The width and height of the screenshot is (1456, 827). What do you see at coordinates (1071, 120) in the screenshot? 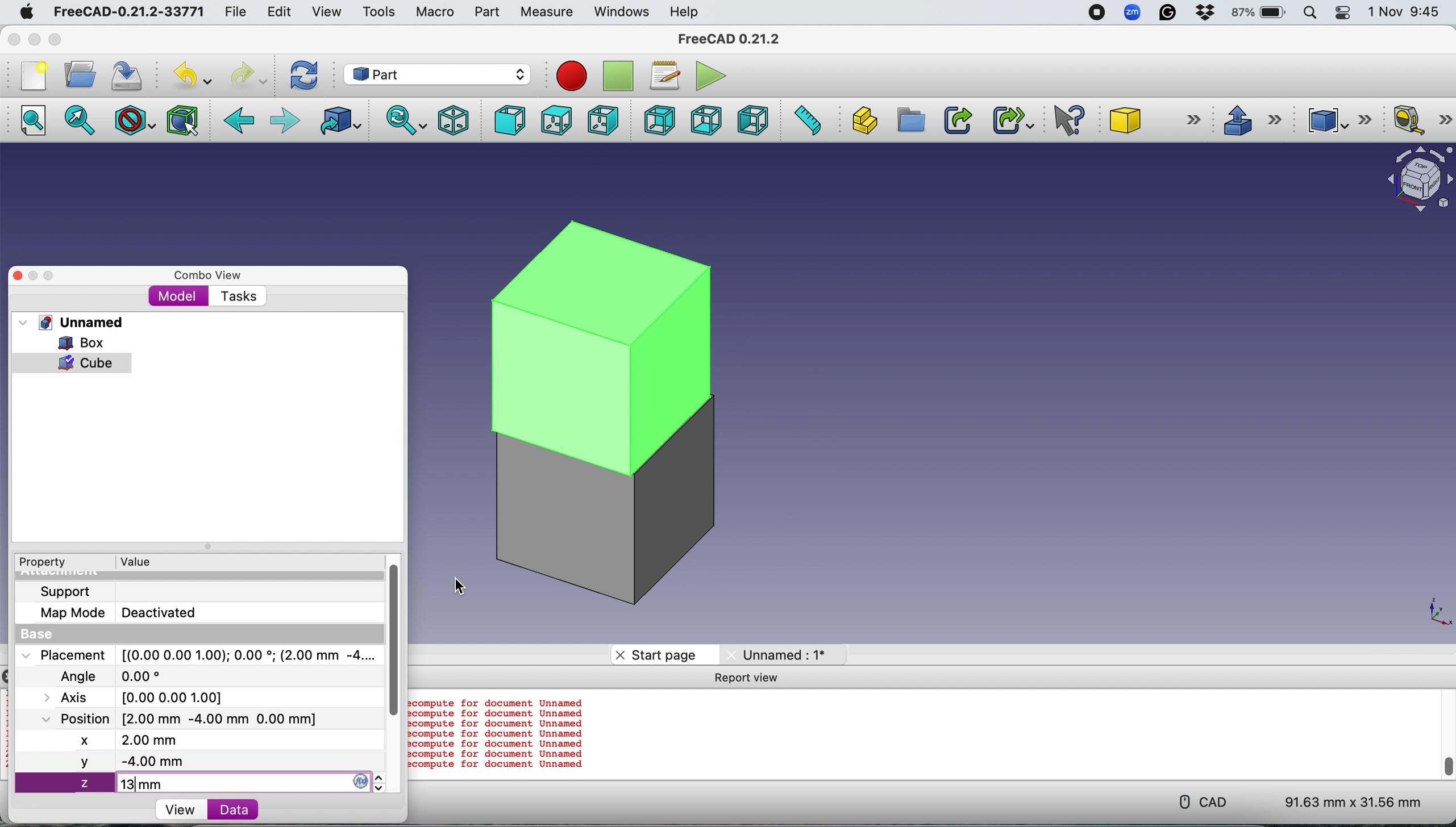
I see `What's this?` at bounding box center [1071, 120].